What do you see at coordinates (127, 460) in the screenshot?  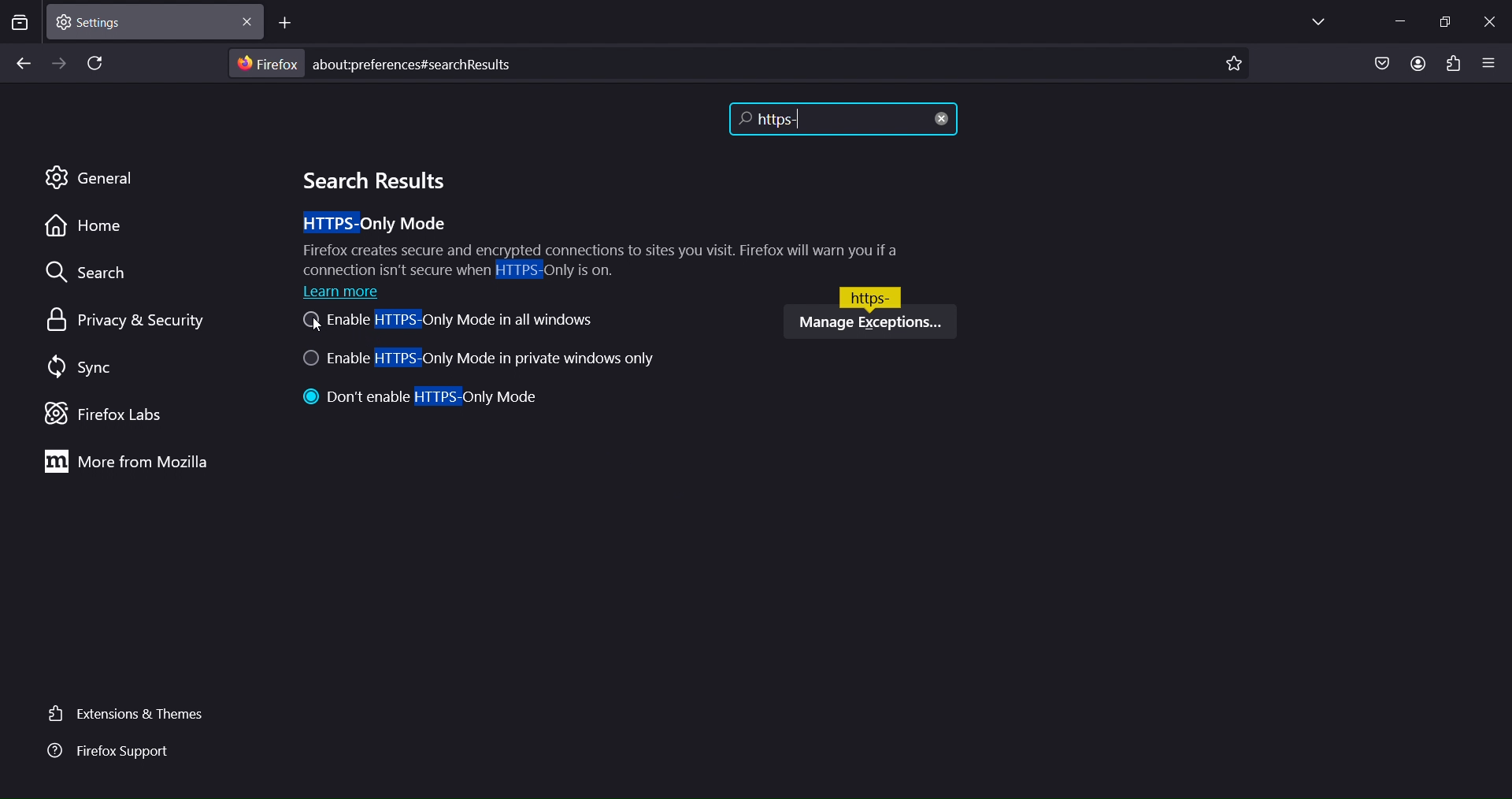 I see `more from mozilla` at bounding box center [127, 460].